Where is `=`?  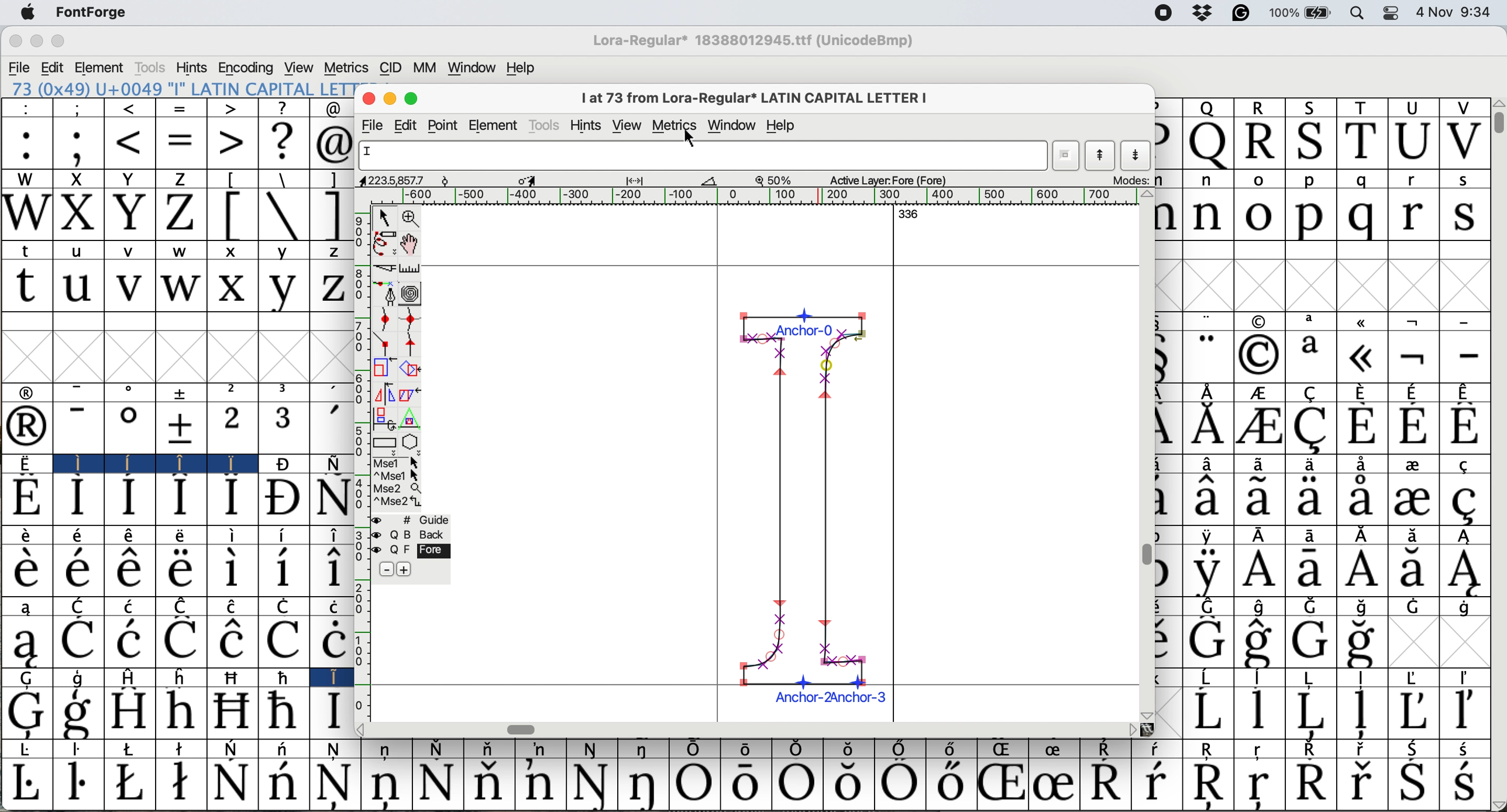
= is located at coordinates (183, 109).